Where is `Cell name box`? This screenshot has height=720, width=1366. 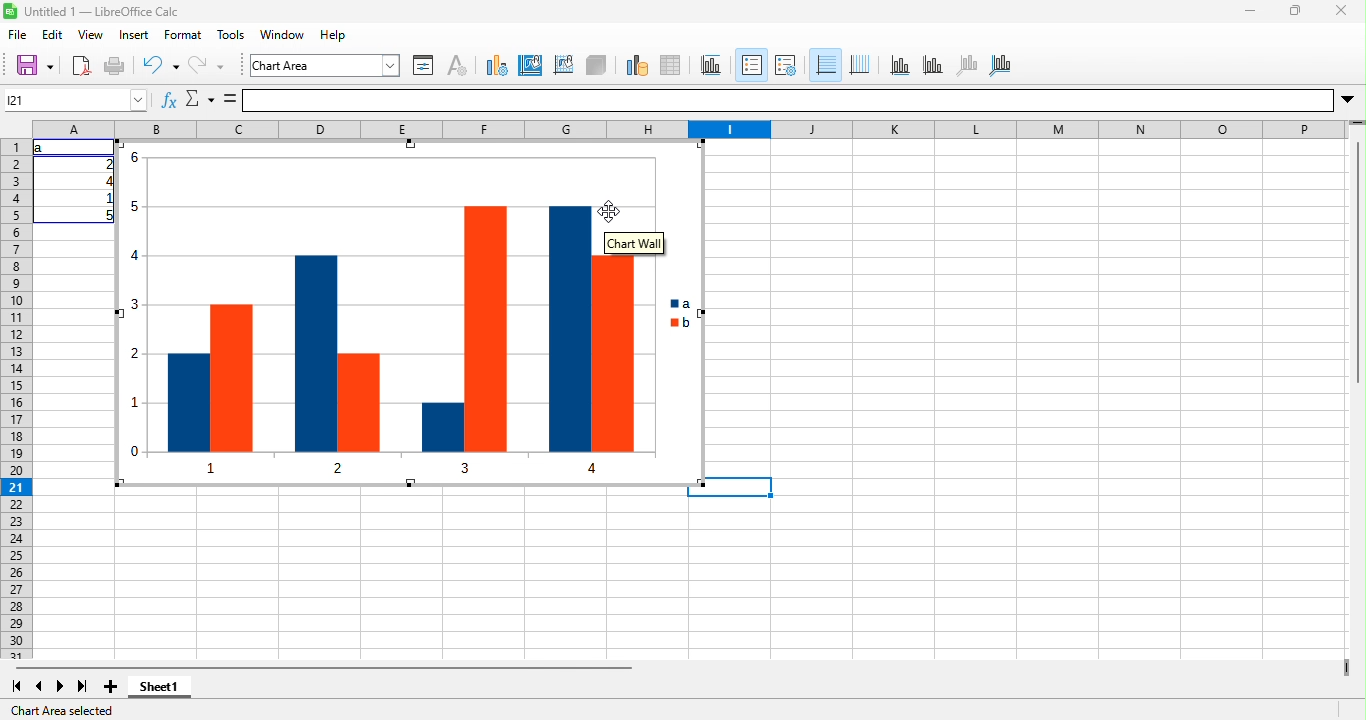
Cell name box is located at coordinates (76, 100).